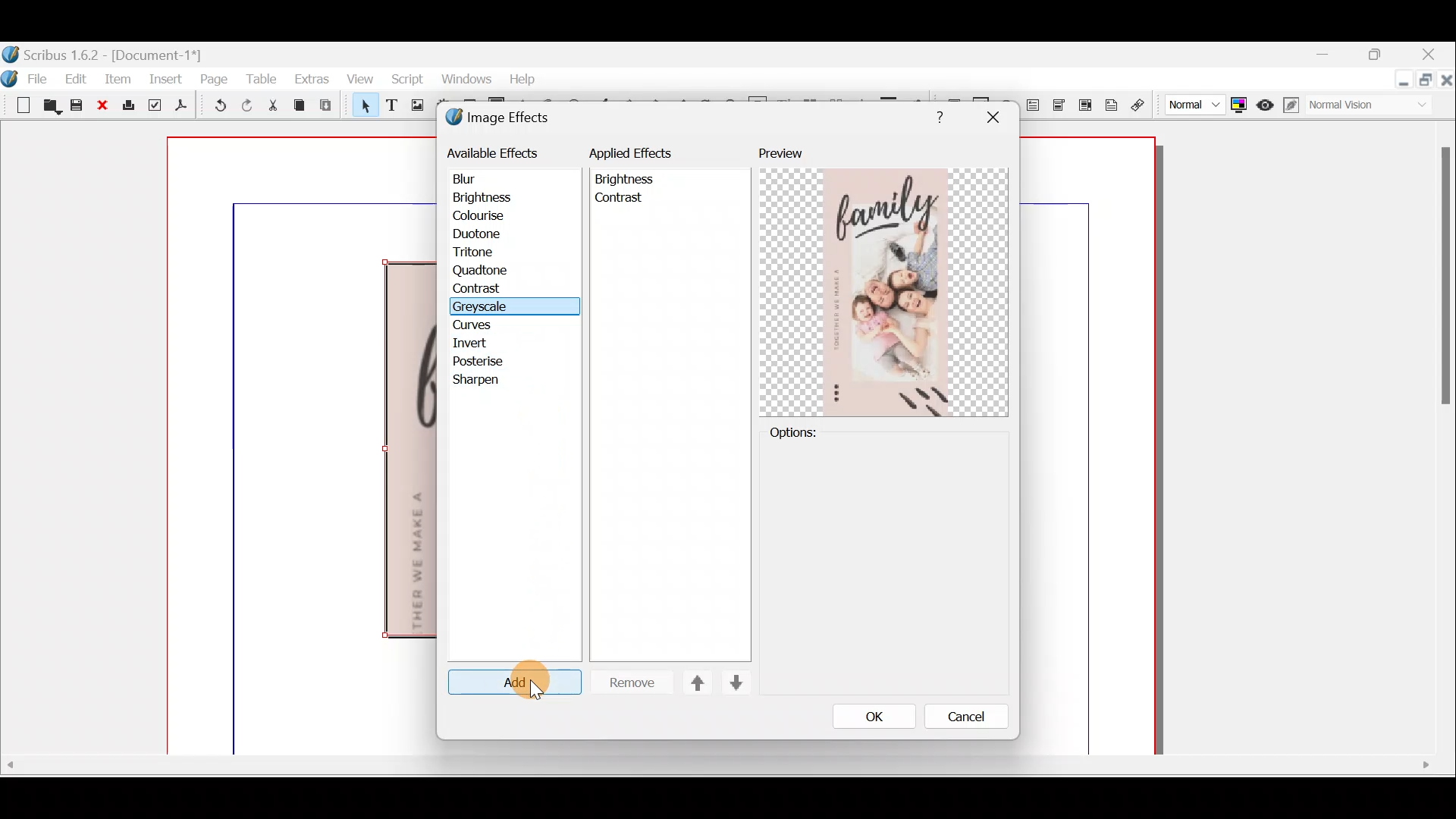  What do you see at coordinates (244, 106) in the screenshot?
I see `Redo` at bounding box center [244, 106].